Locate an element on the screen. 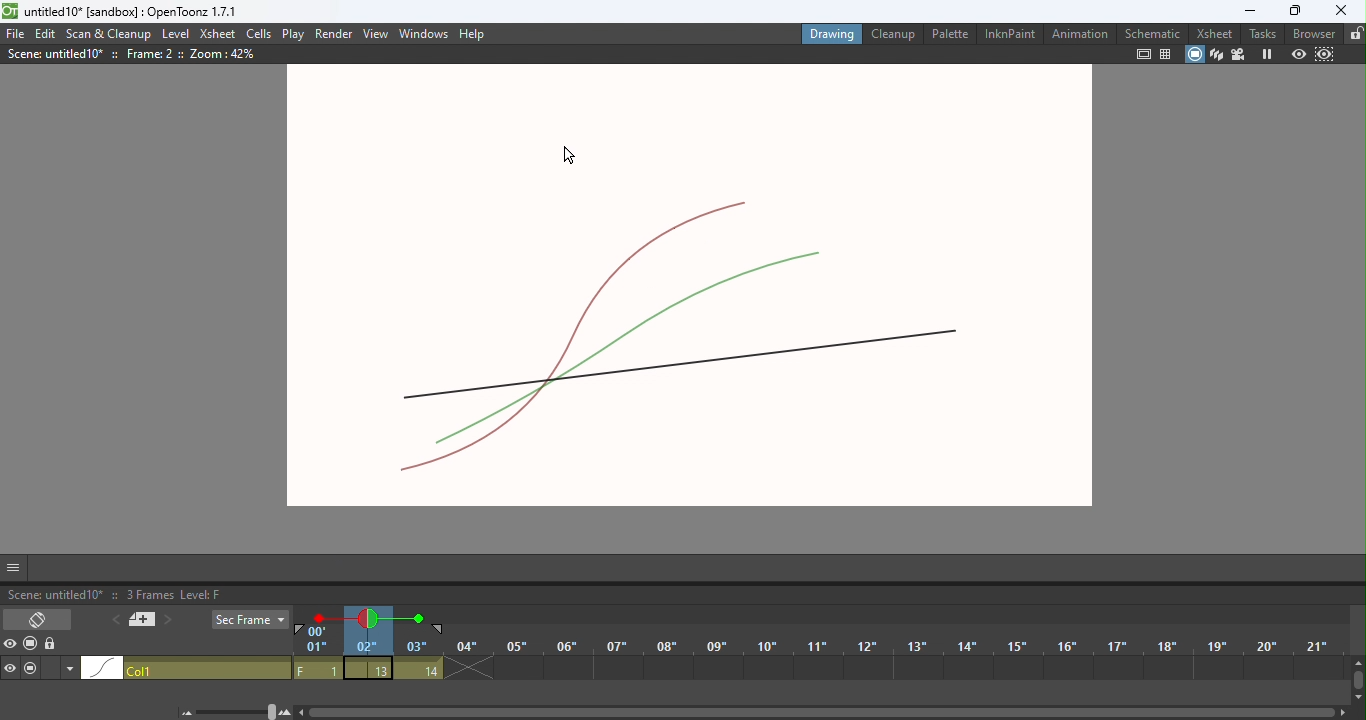  Drawing is located at coordinates (831, 33).